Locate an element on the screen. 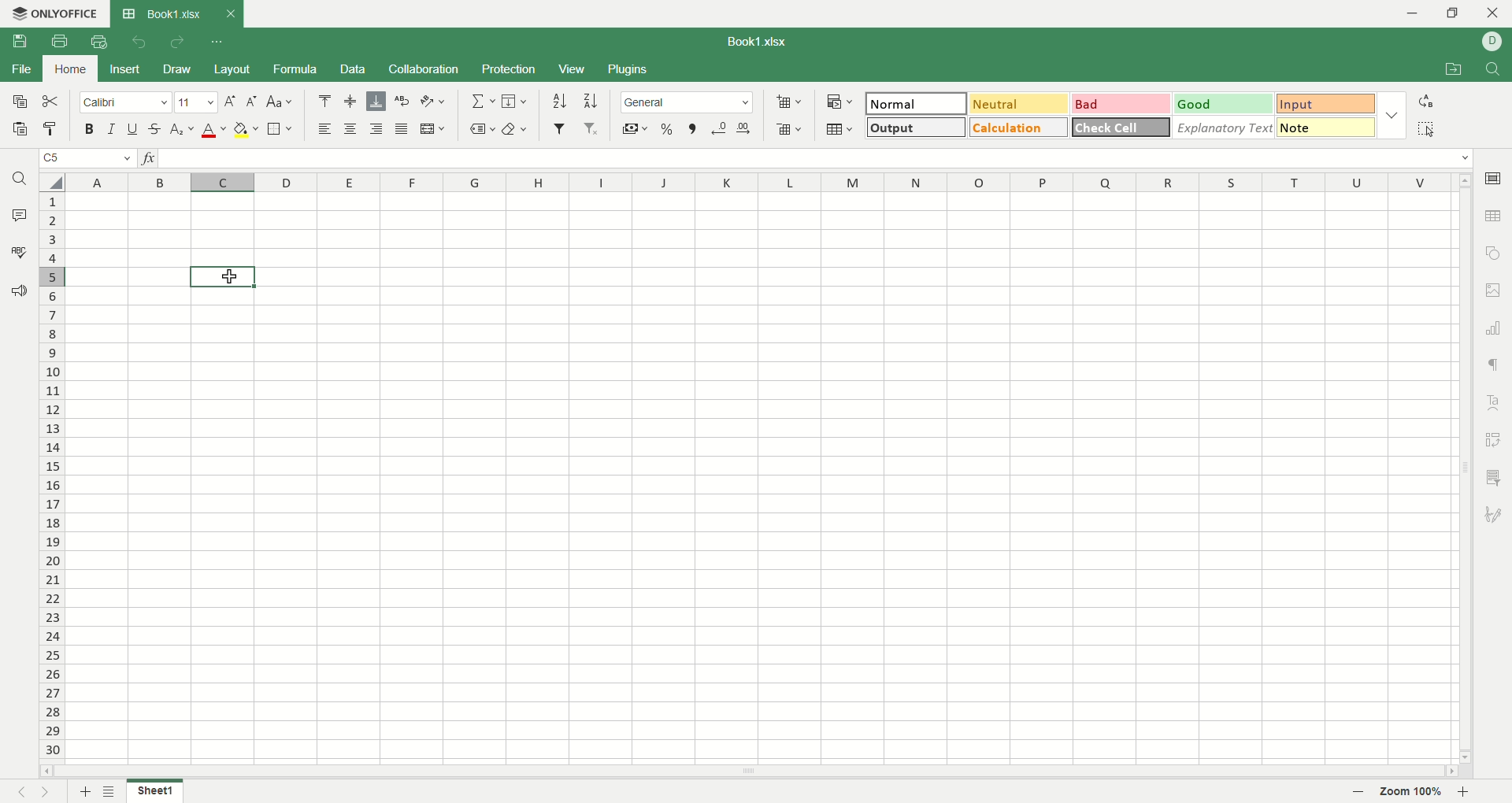 The width and height of the screenshot is (1512, 803). column is located at coordinates (757, 184).